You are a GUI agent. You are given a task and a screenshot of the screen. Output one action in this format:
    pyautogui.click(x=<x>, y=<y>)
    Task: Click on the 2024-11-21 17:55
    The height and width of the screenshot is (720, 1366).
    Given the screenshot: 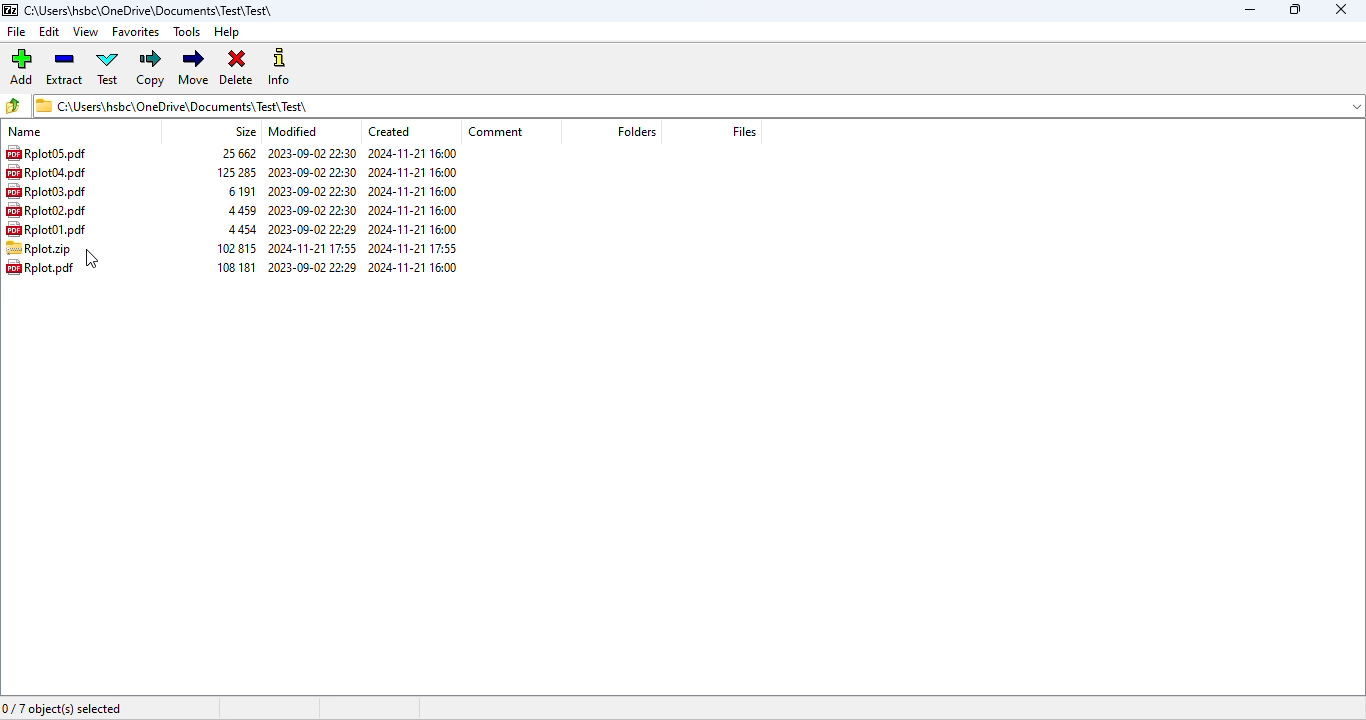 What is the action you would take?
    pyautogui.click(x=411, y=248)
    